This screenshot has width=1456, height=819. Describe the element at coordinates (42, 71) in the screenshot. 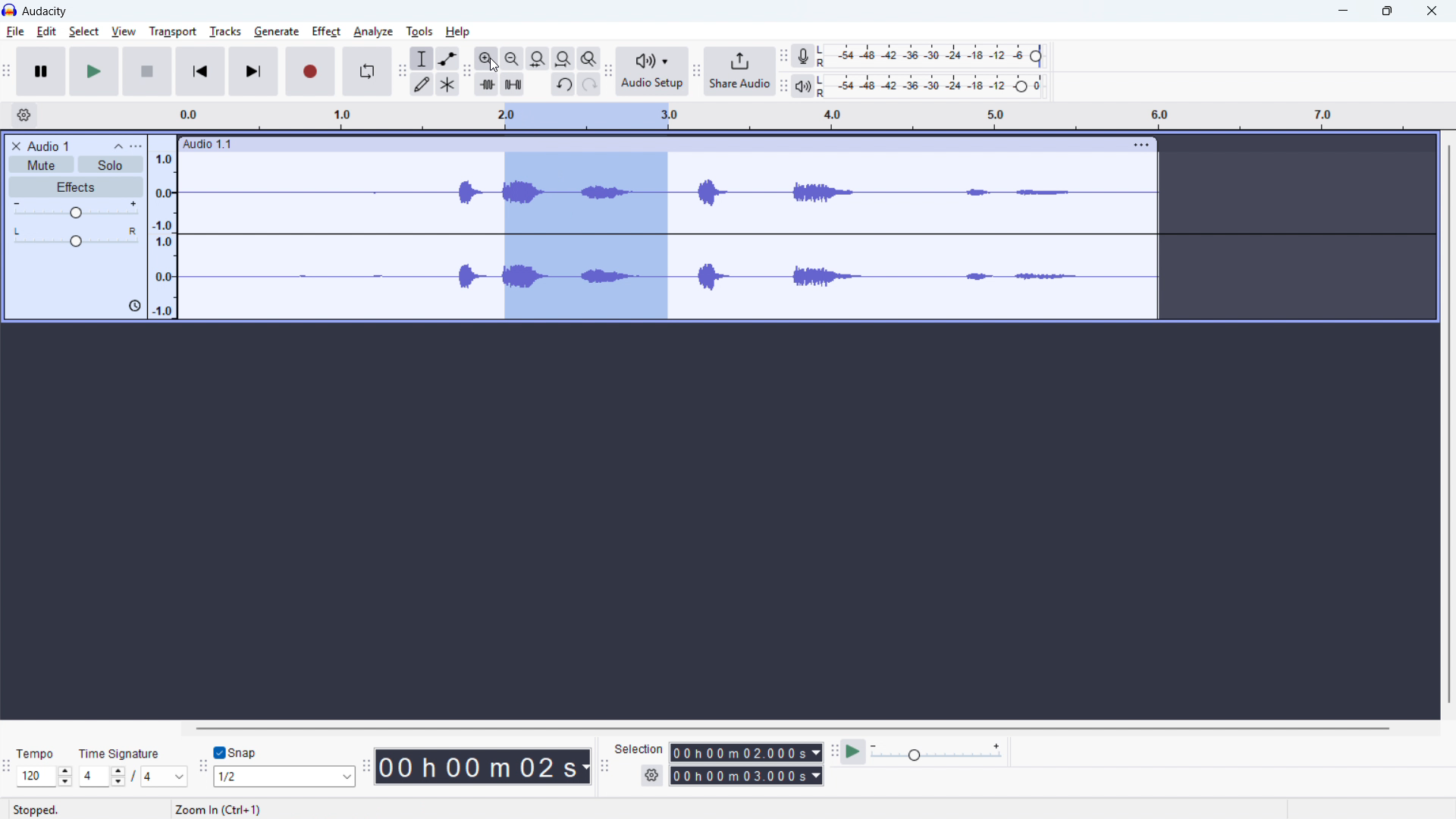

I see `Pause` at that location.